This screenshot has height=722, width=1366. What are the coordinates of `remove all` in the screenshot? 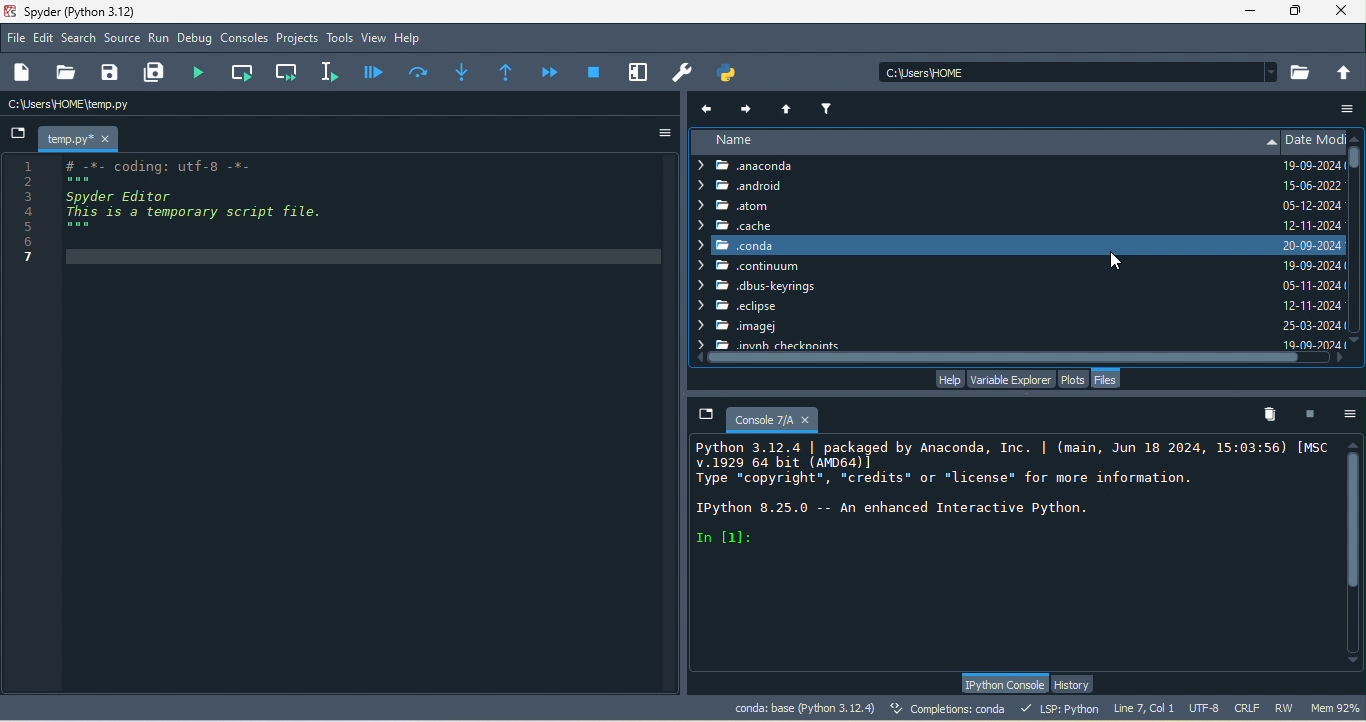 It's located at (1275, 415).